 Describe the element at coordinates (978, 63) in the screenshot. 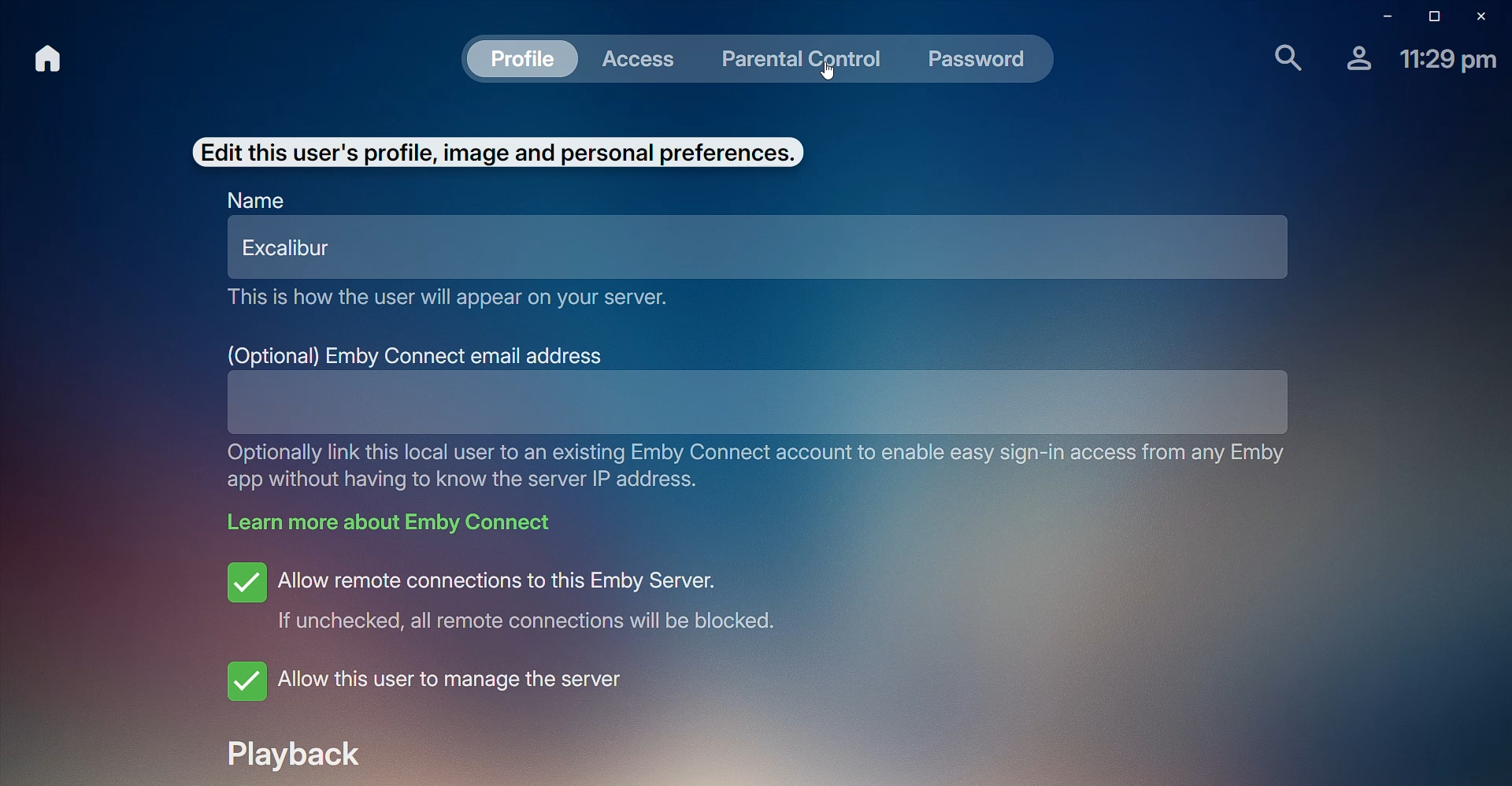

I see `Password` at that location.